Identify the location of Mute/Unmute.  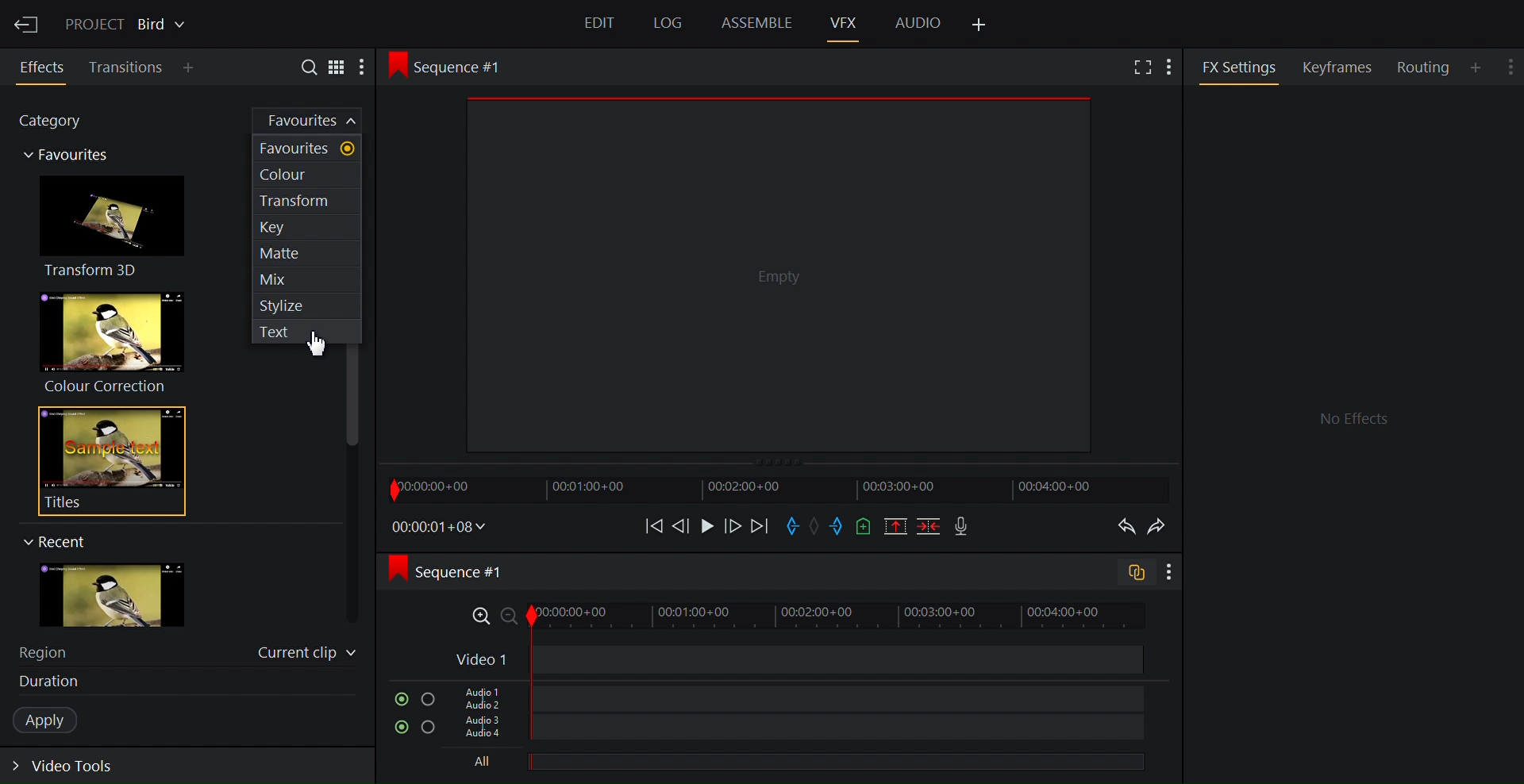
(401, 699).